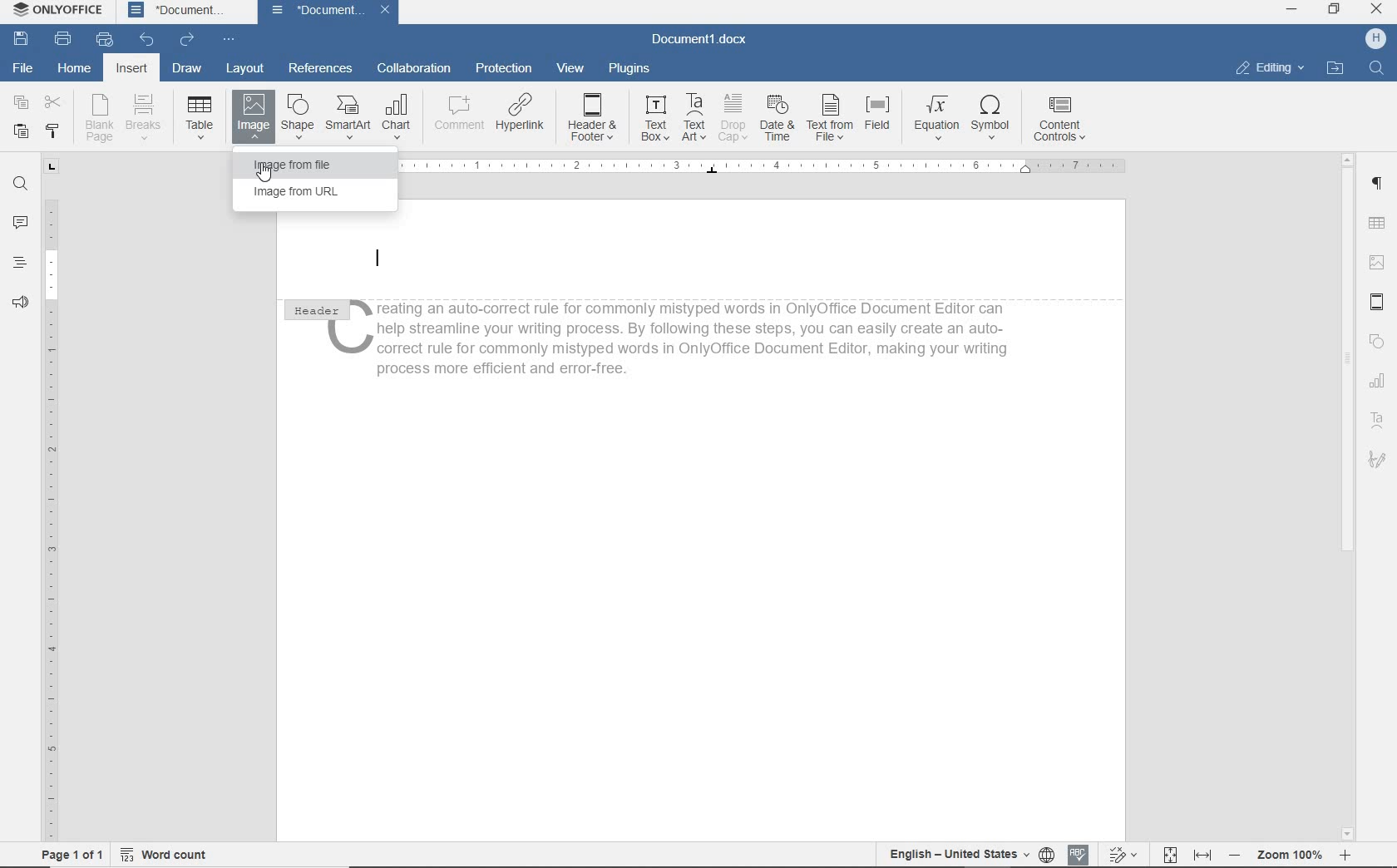 The height and width of the screenshot is (868, 1397). I want to click on TEXT FROM FILE, so click(829, 121).